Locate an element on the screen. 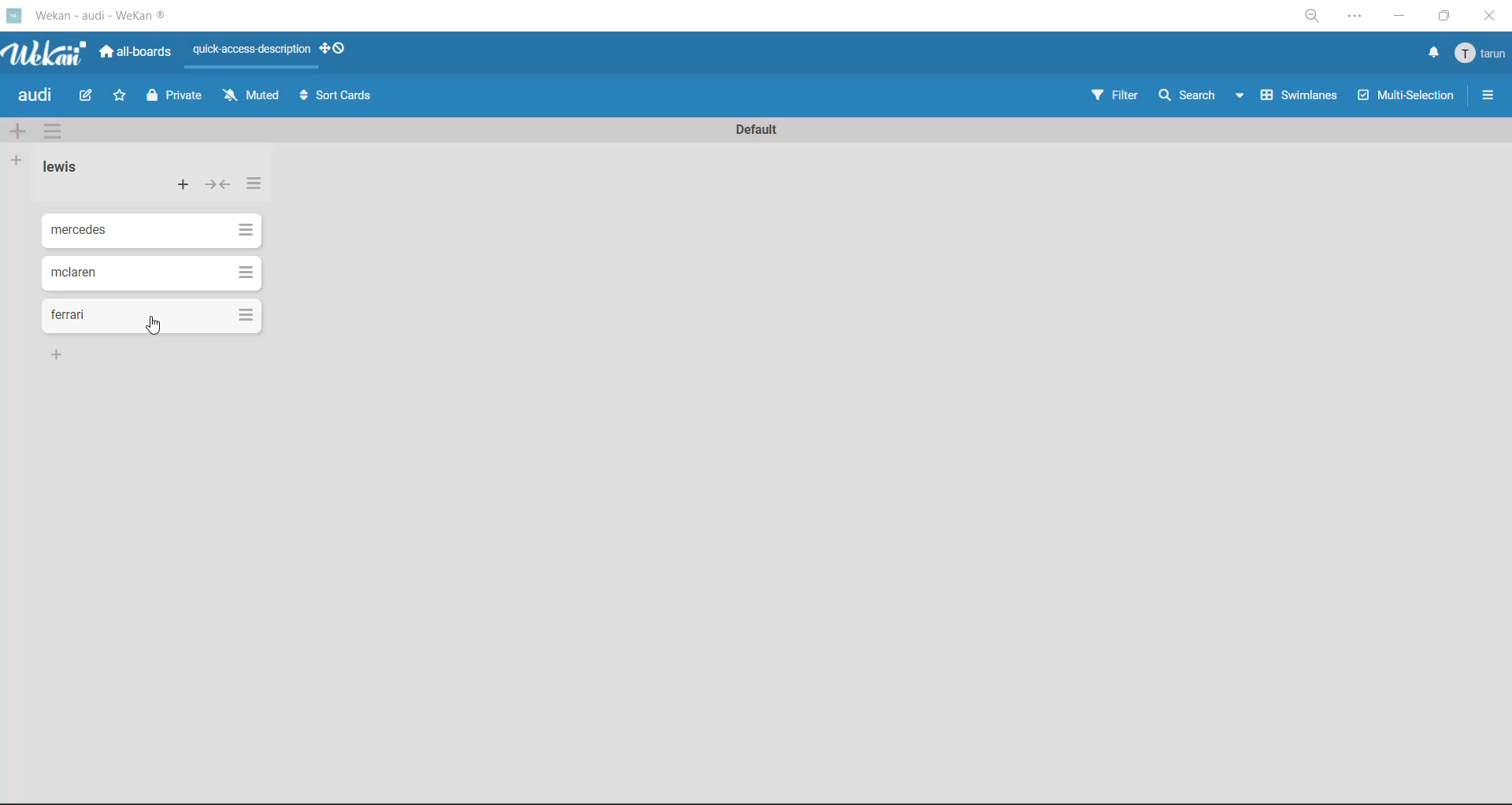  show desktop drag handles is located at coordinates (335, 50).